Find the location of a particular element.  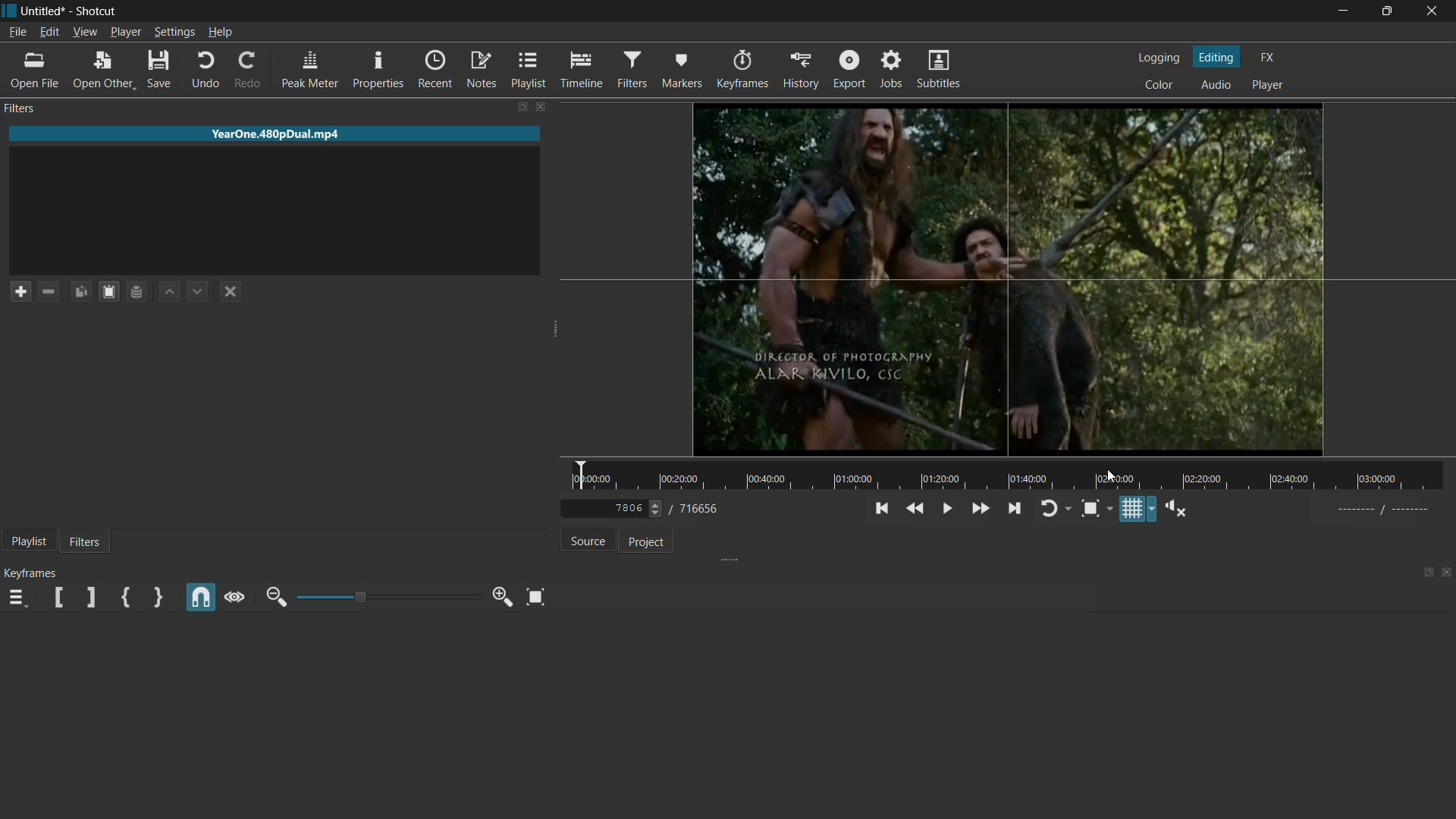

player menu is located at coordinates (126, 33).